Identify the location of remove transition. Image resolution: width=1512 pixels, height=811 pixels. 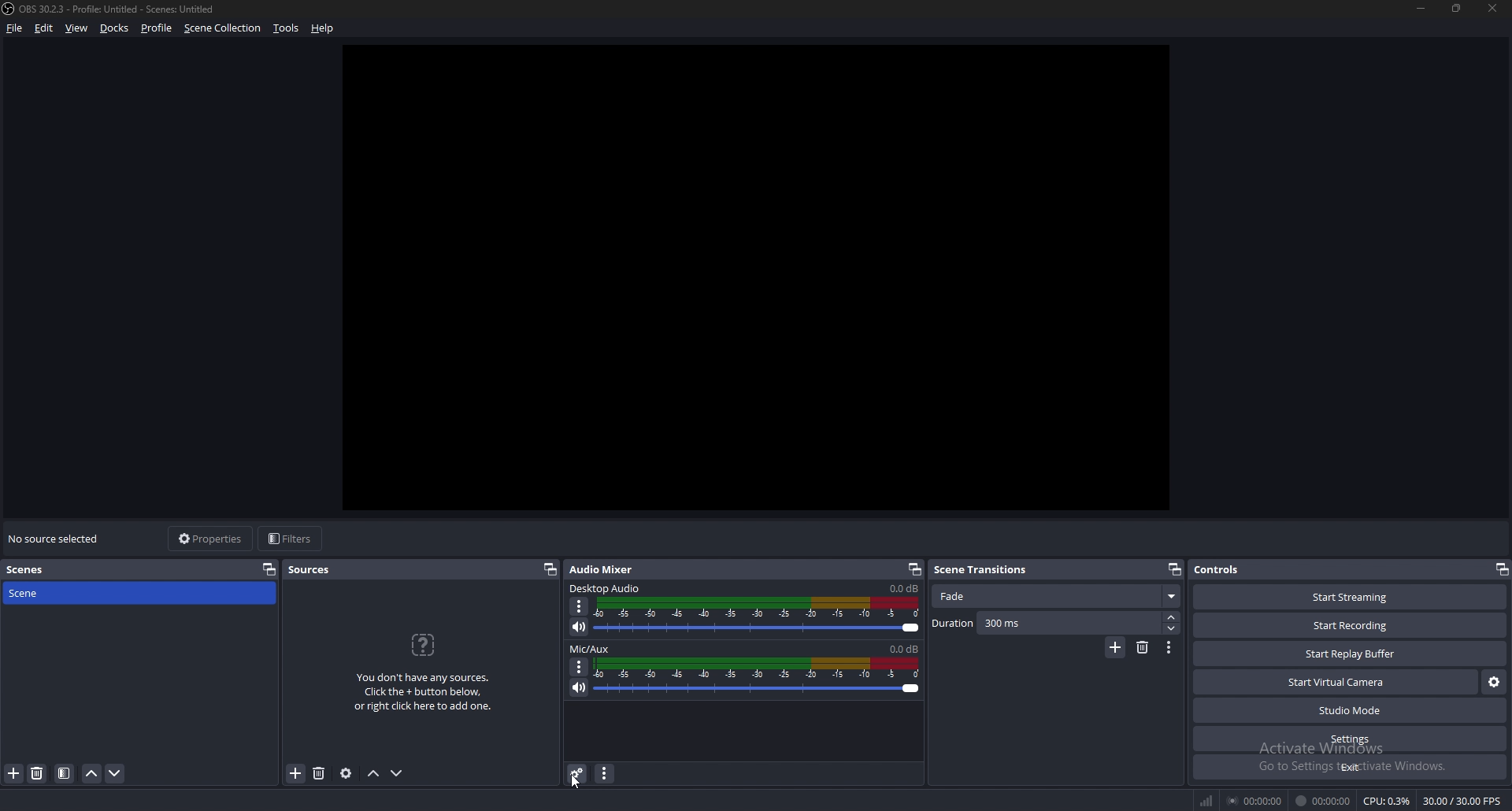
(1142, 648).